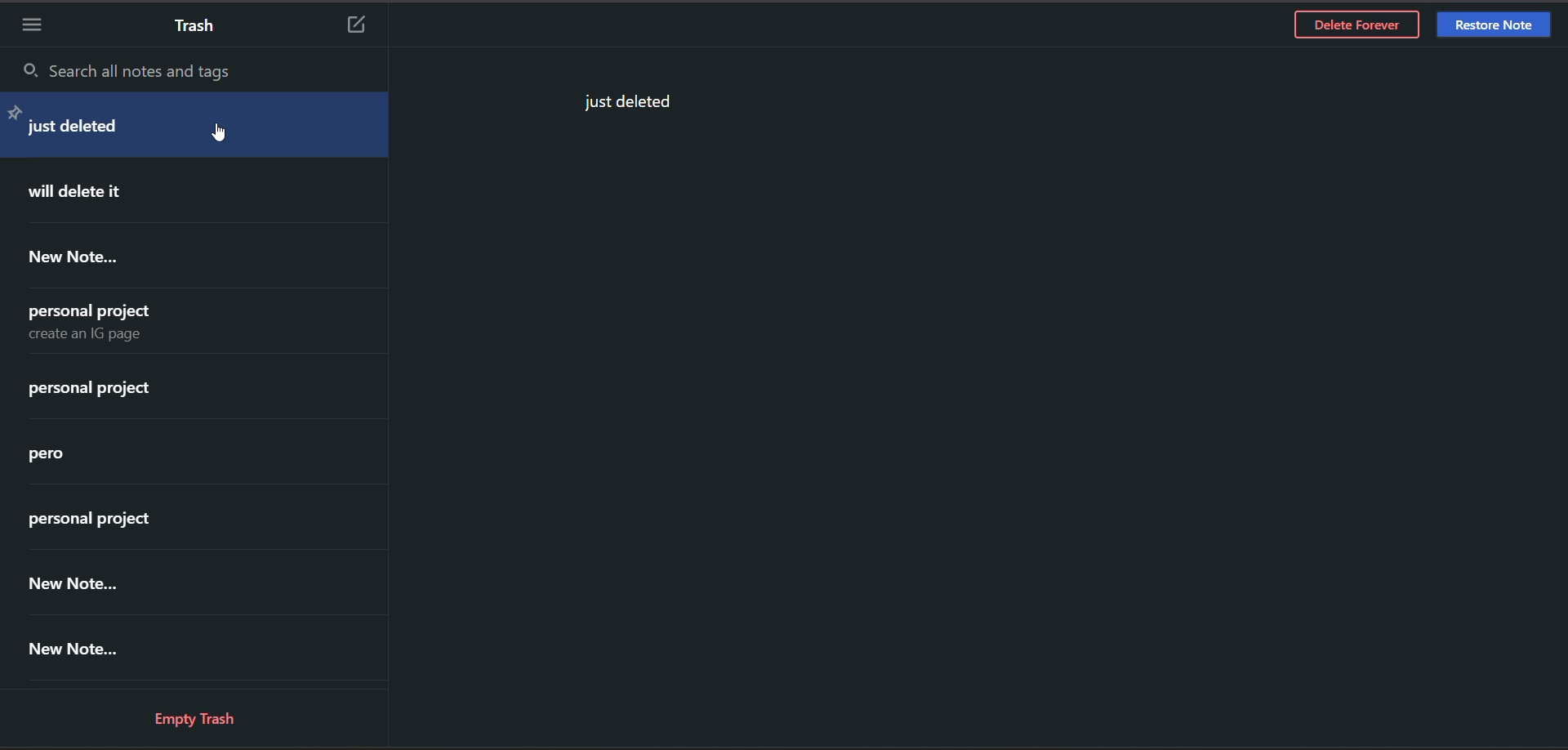  I want to click on deleted note title 7, so click(118, 518).